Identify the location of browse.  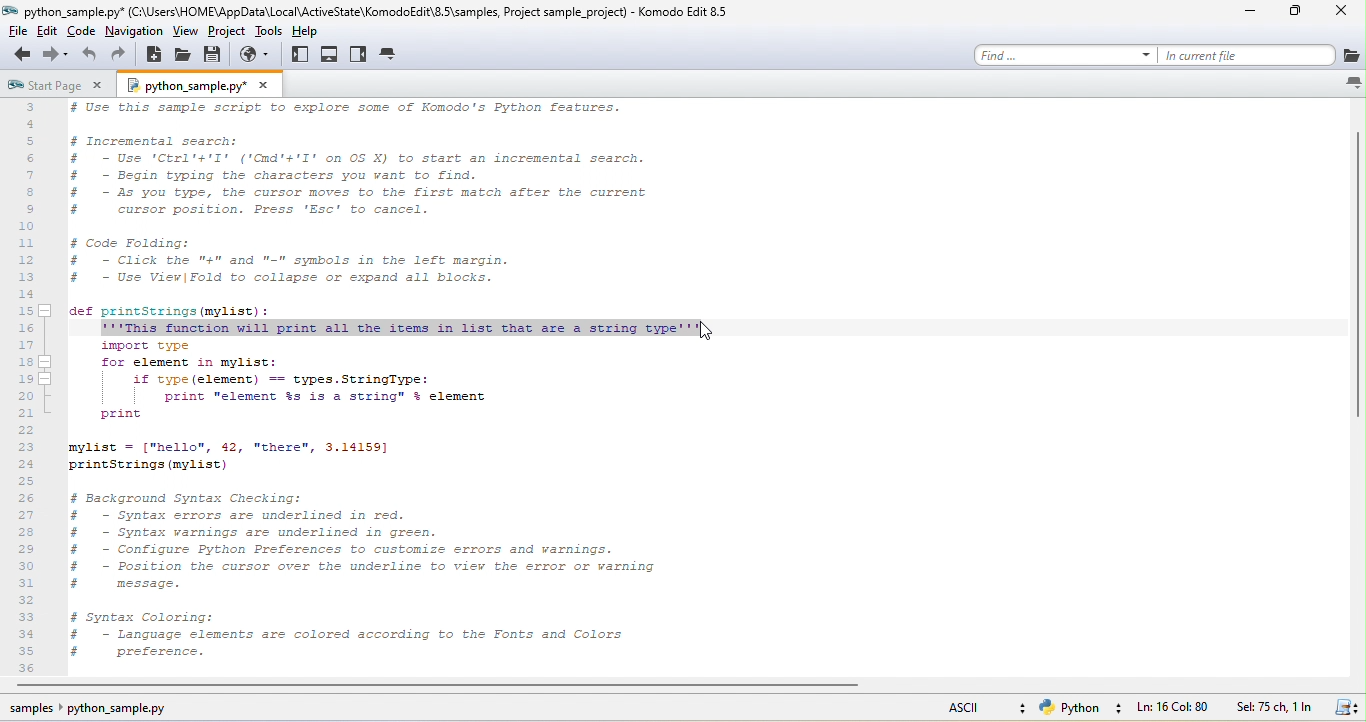
(258, 55).